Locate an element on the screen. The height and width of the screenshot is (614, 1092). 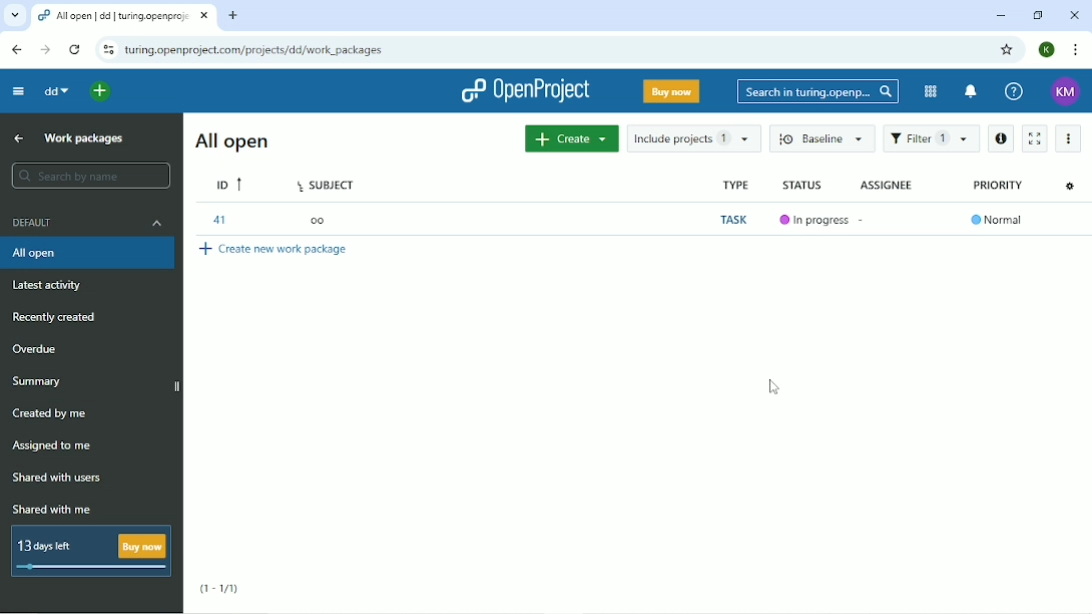
KM is located at coordinates (1064, 92).